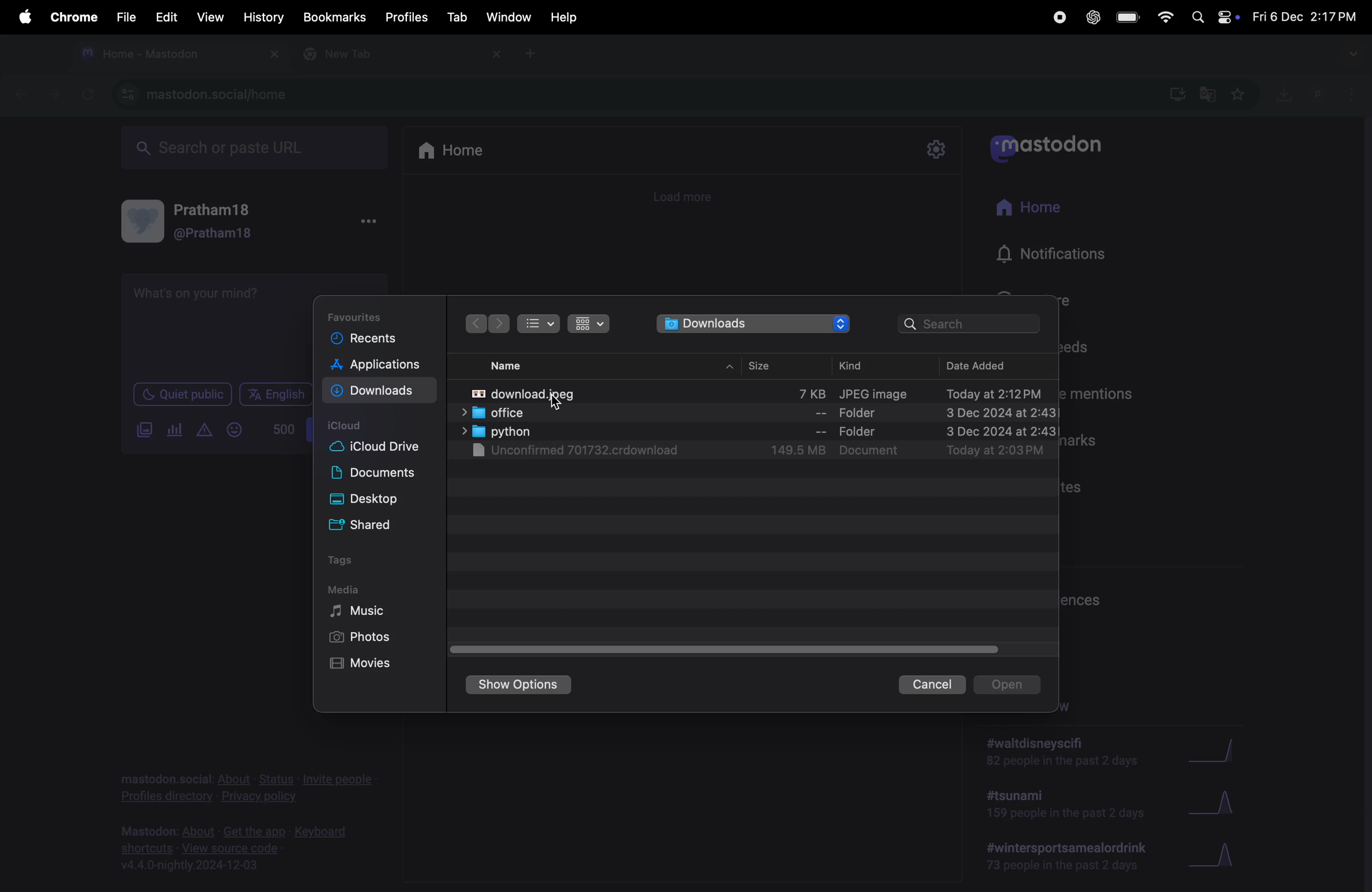  Describe the element at coordinates (760, 452) in the screenshot. I see `unkownn download` at that location.